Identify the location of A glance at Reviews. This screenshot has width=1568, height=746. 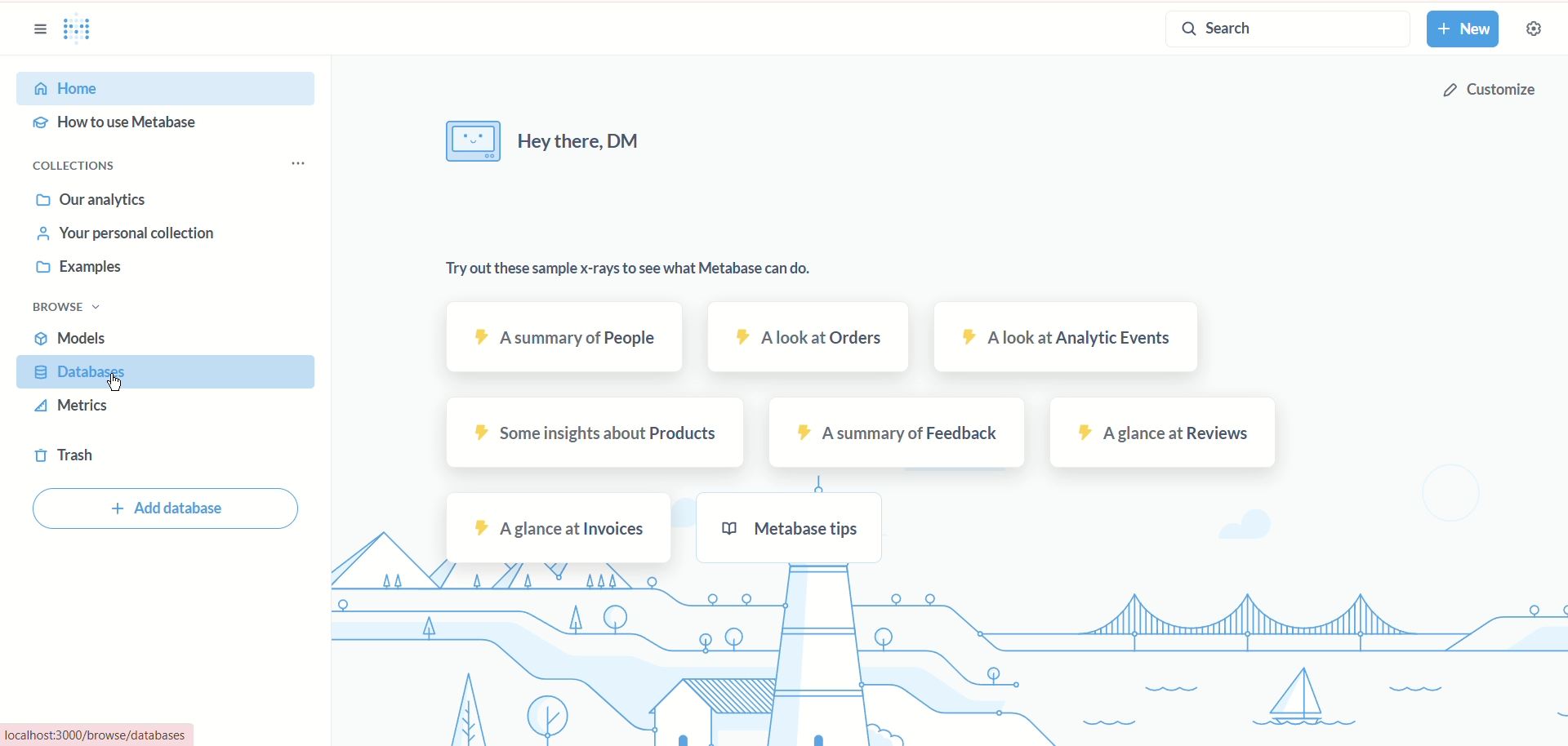
(1165, 433).